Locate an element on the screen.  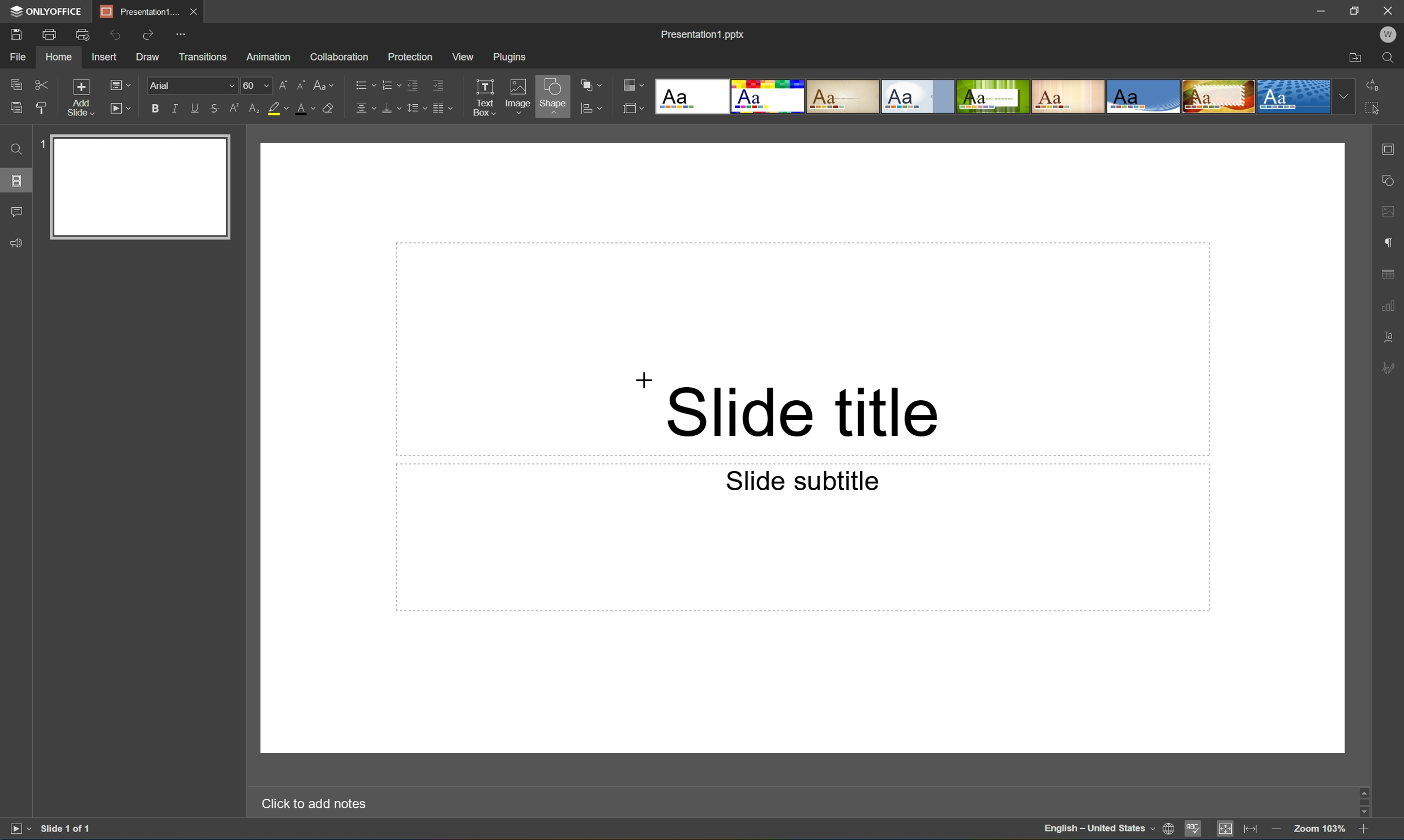
Slides is located at coordinates (16, 179).